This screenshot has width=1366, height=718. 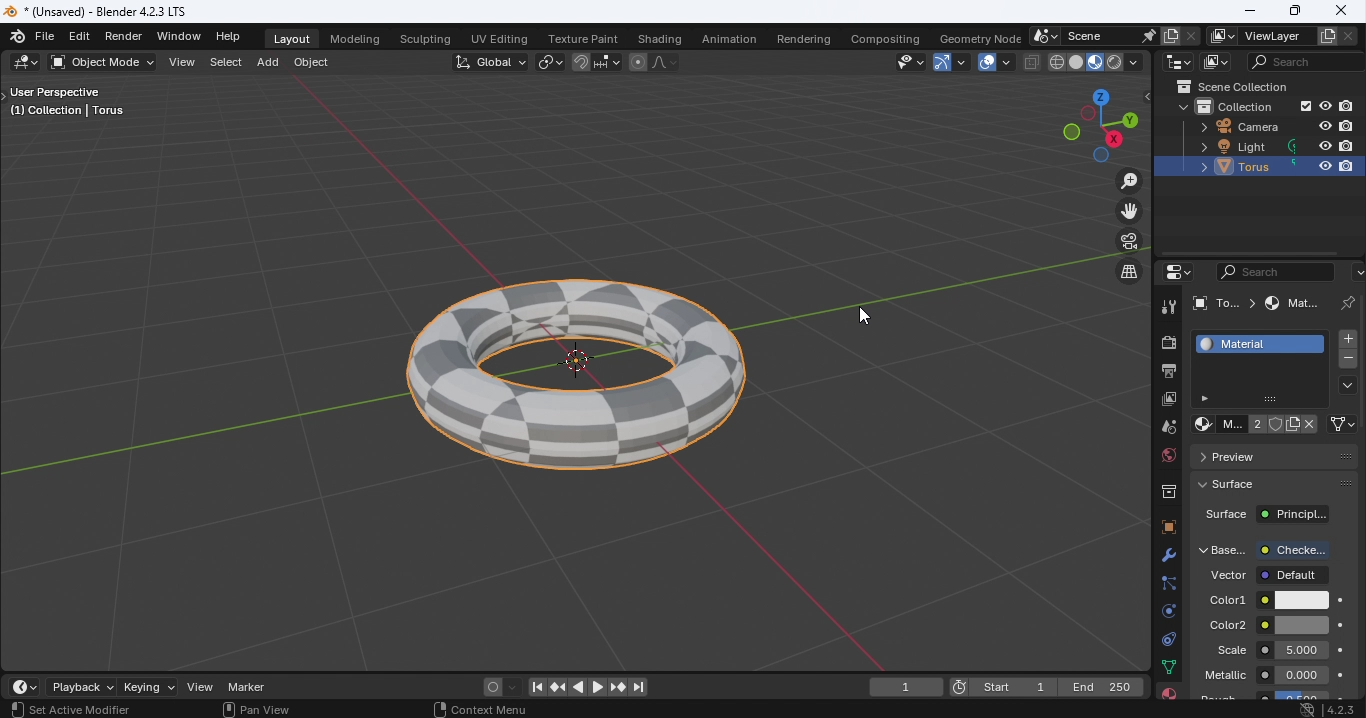 I want to click on Display mode, so click(x=1215, y=63).